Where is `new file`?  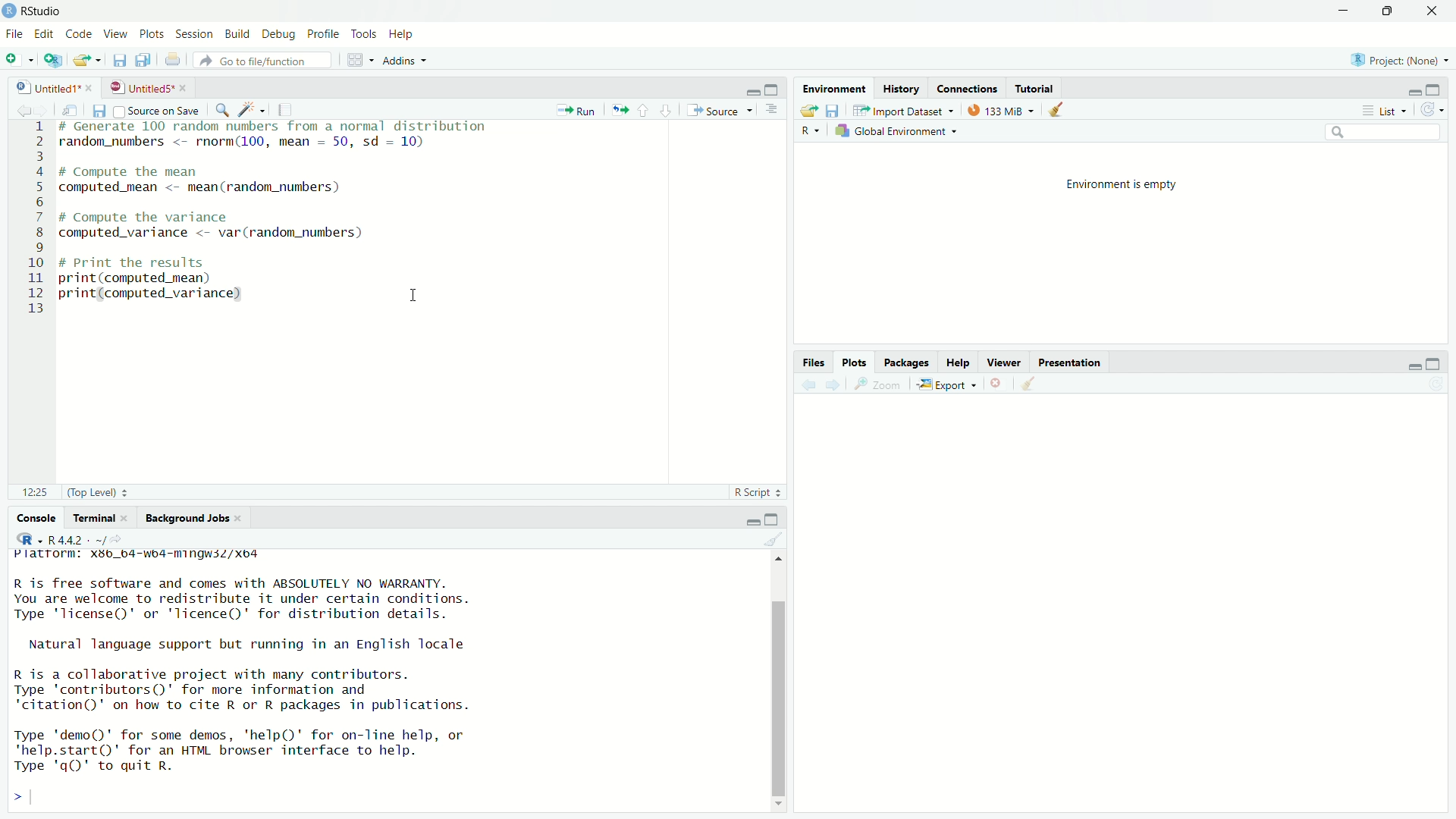
new file is located at coordinates (18, 58).